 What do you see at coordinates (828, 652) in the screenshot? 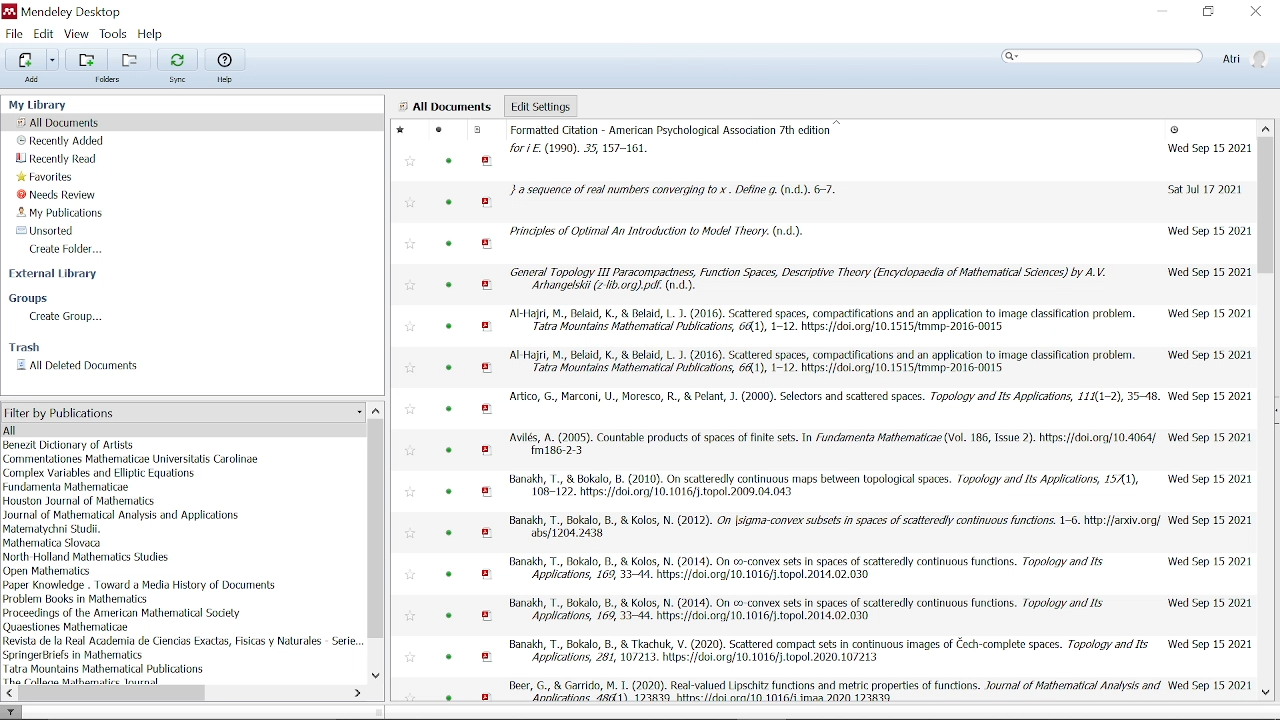
I see `citation` at bounding box center [828, 652].